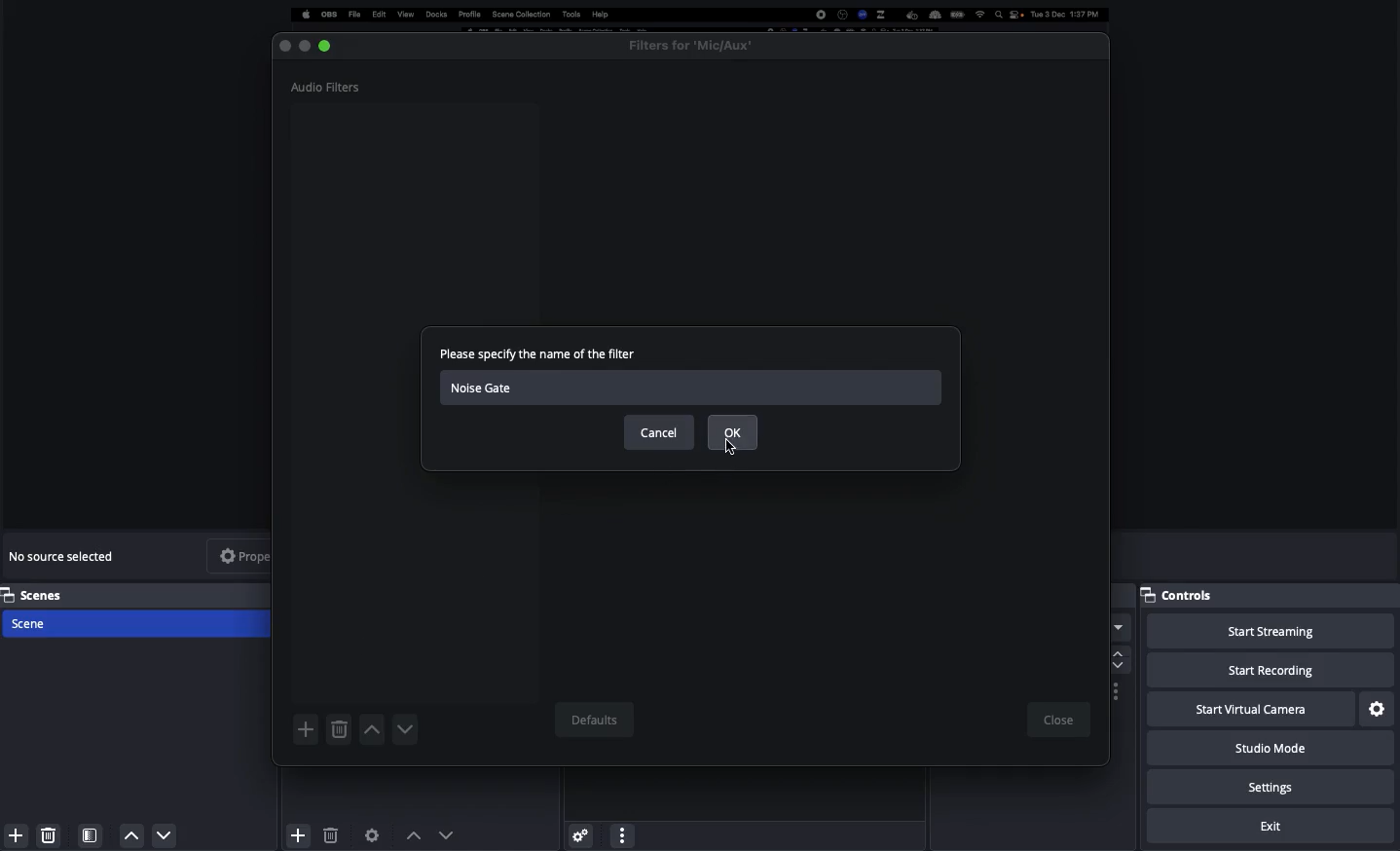 This screenshot has height=851, width=1400. Describe the element at coordinates (1185, 595) in the screenshot. I see `Controls` at that location.